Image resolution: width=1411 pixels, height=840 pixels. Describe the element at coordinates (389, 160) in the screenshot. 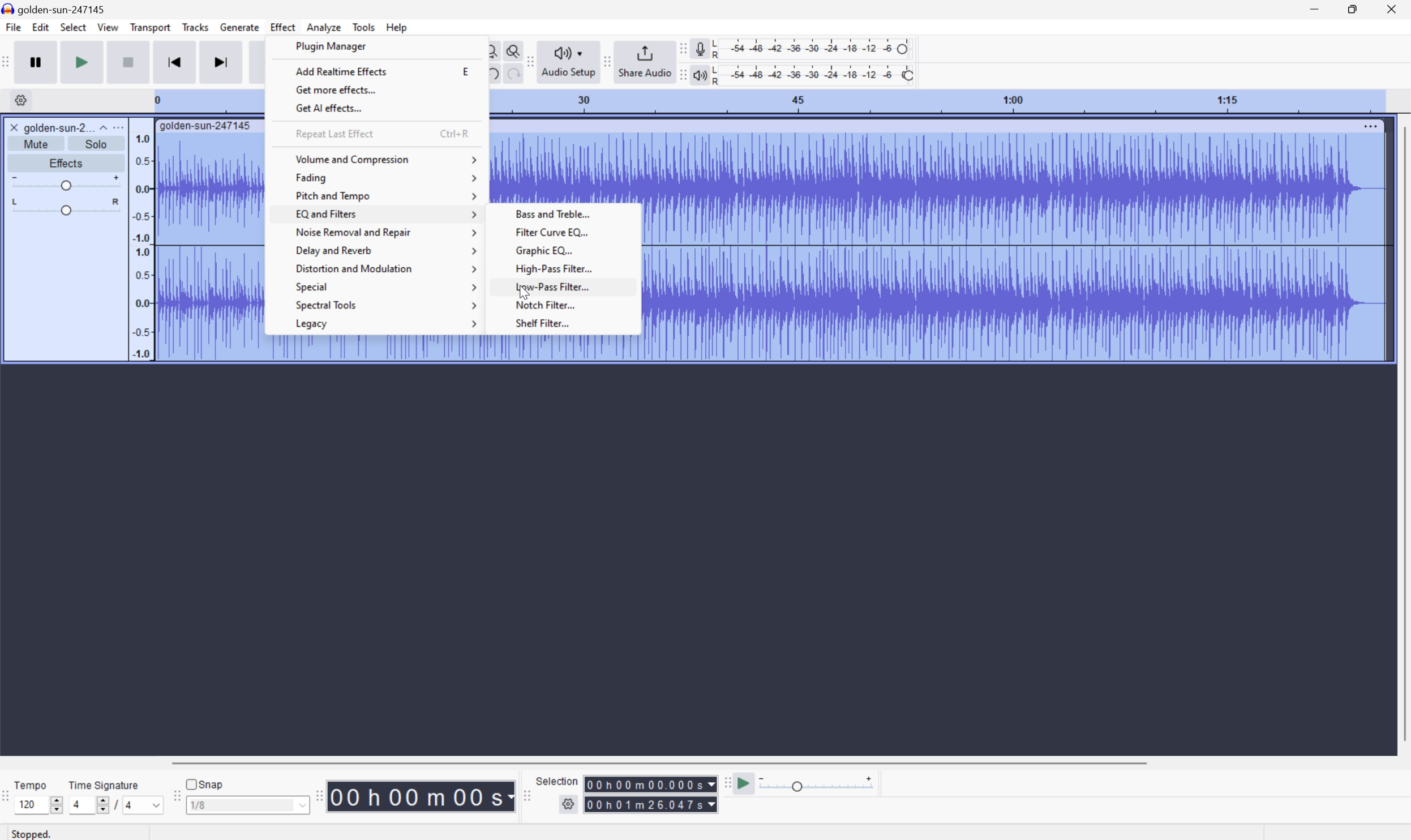

I see `Volume and compression` at that location.